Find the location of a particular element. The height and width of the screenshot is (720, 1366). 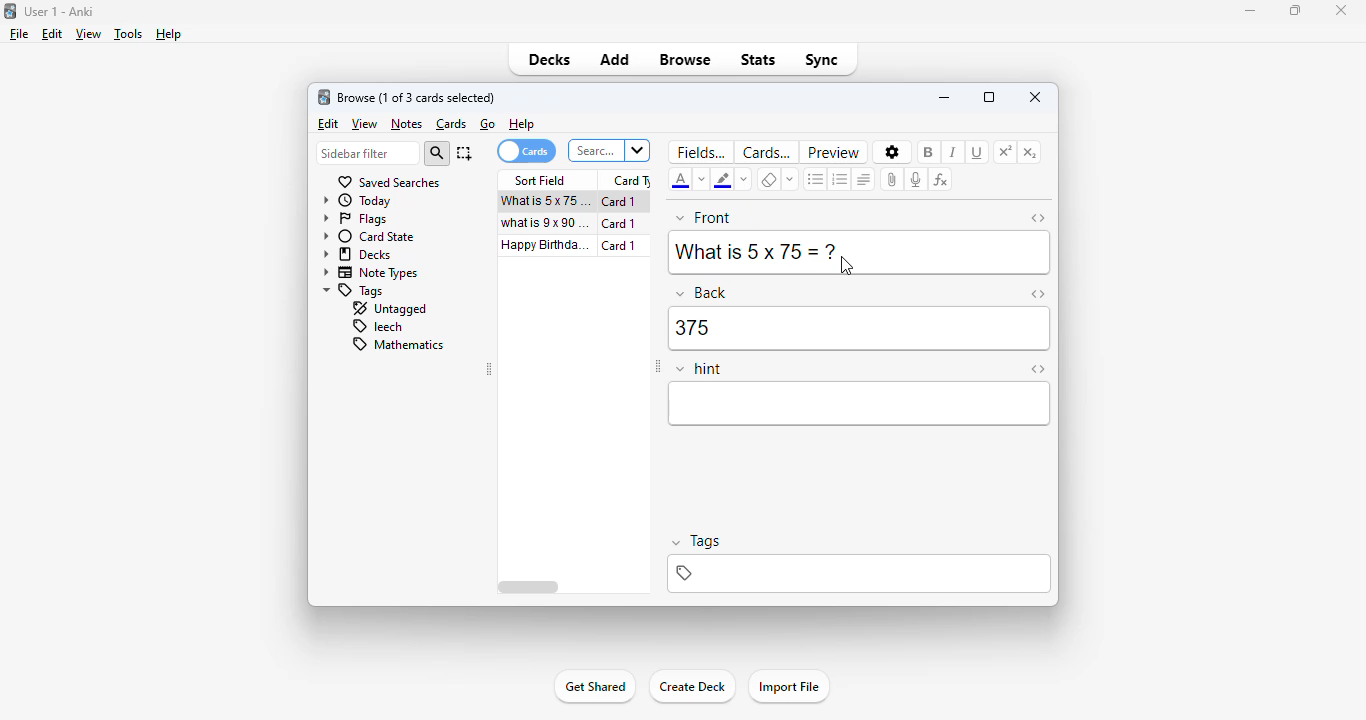

what is 5x75=? is located at coordinates (546, 201).